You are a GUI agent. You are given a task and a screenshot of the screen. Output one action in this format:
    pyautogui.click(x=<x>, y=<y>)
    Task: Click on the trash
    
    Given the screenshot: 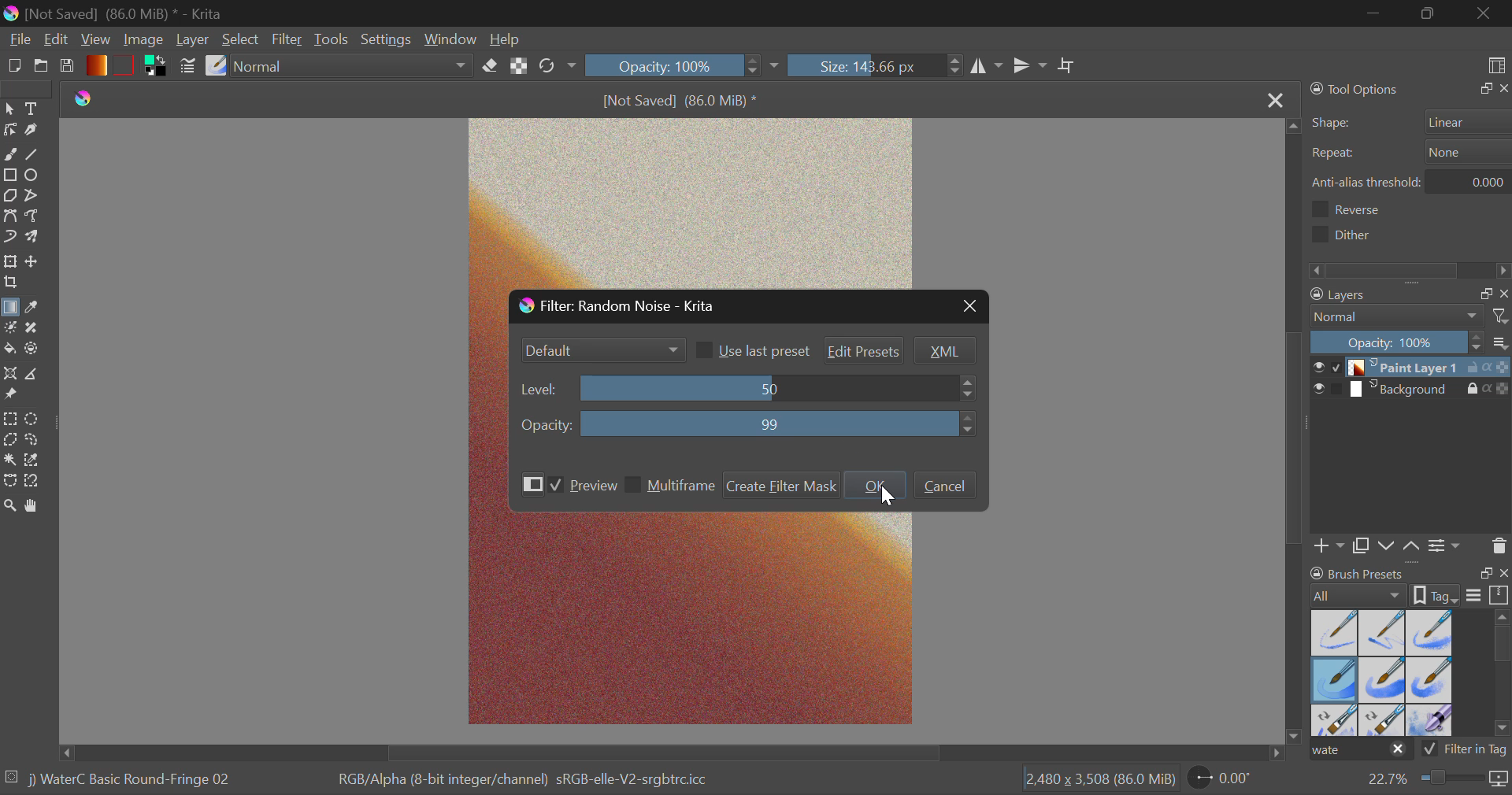 What is the action you would take?
    pyautogui.click(x=1499, y=545)
    